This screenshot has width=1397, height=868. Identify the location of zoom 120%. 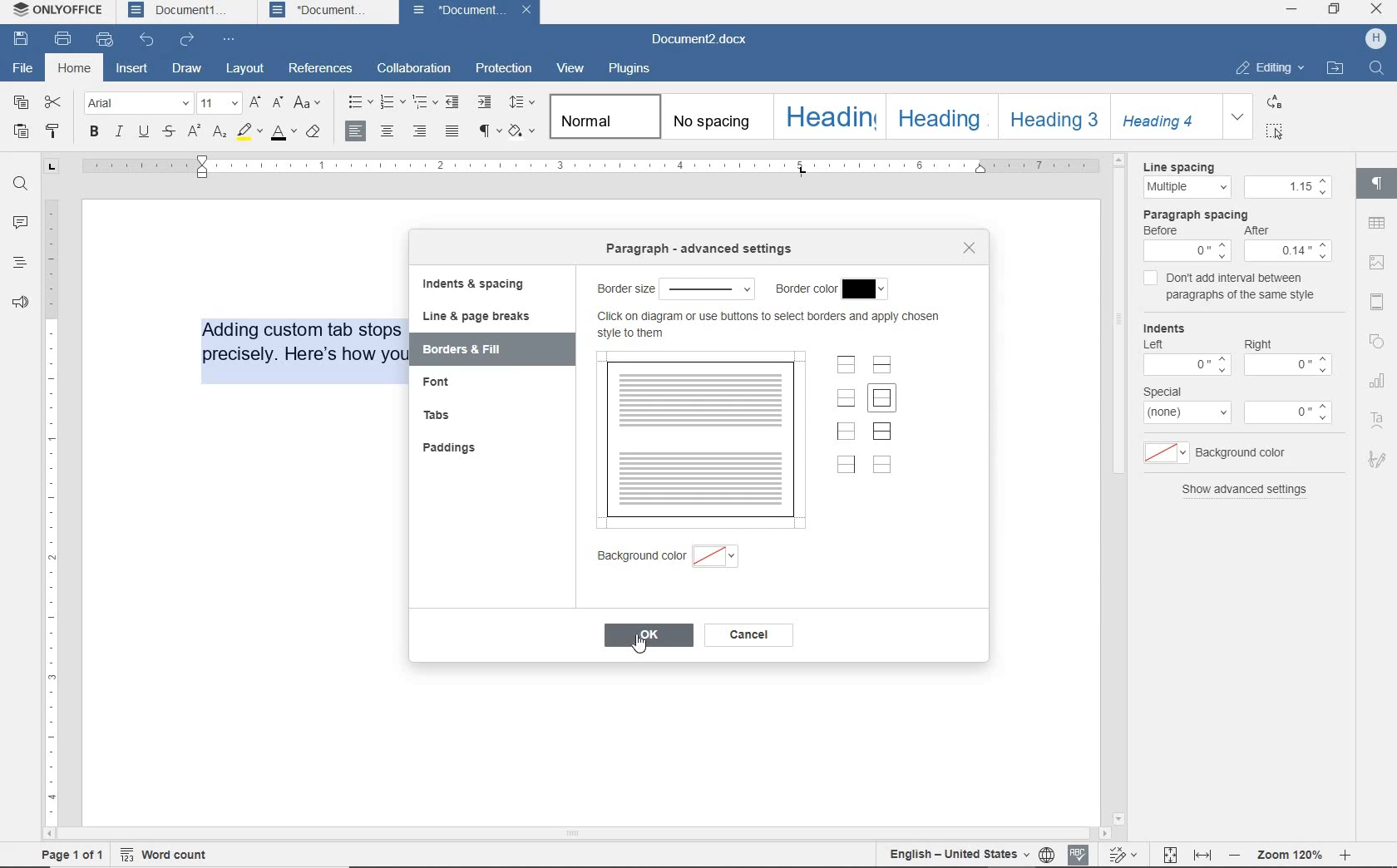
(1290, 851).